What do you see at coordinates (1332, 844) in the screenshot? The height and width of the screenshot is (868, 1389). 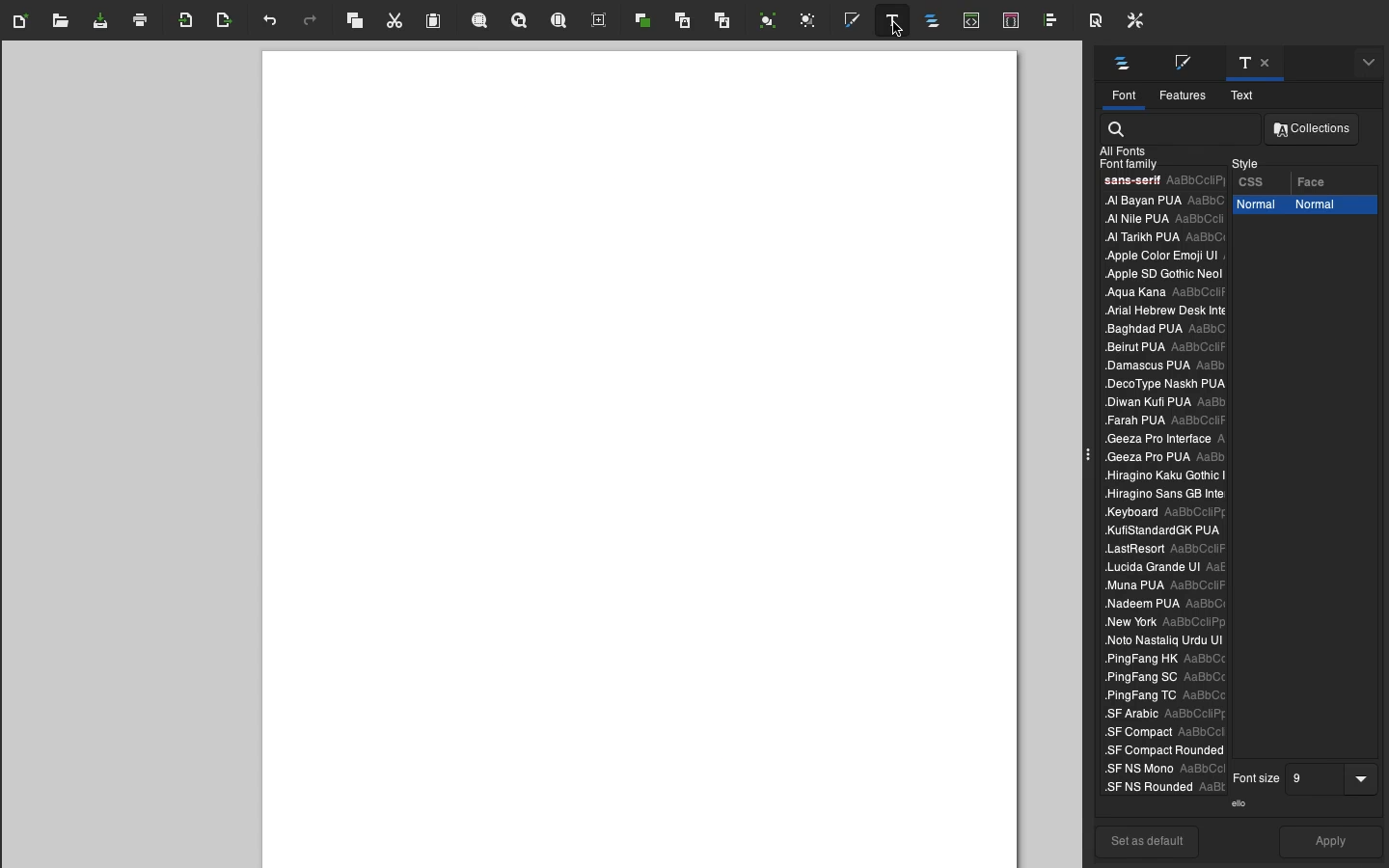 I see `Apply` at bounding box center [1332, 844].